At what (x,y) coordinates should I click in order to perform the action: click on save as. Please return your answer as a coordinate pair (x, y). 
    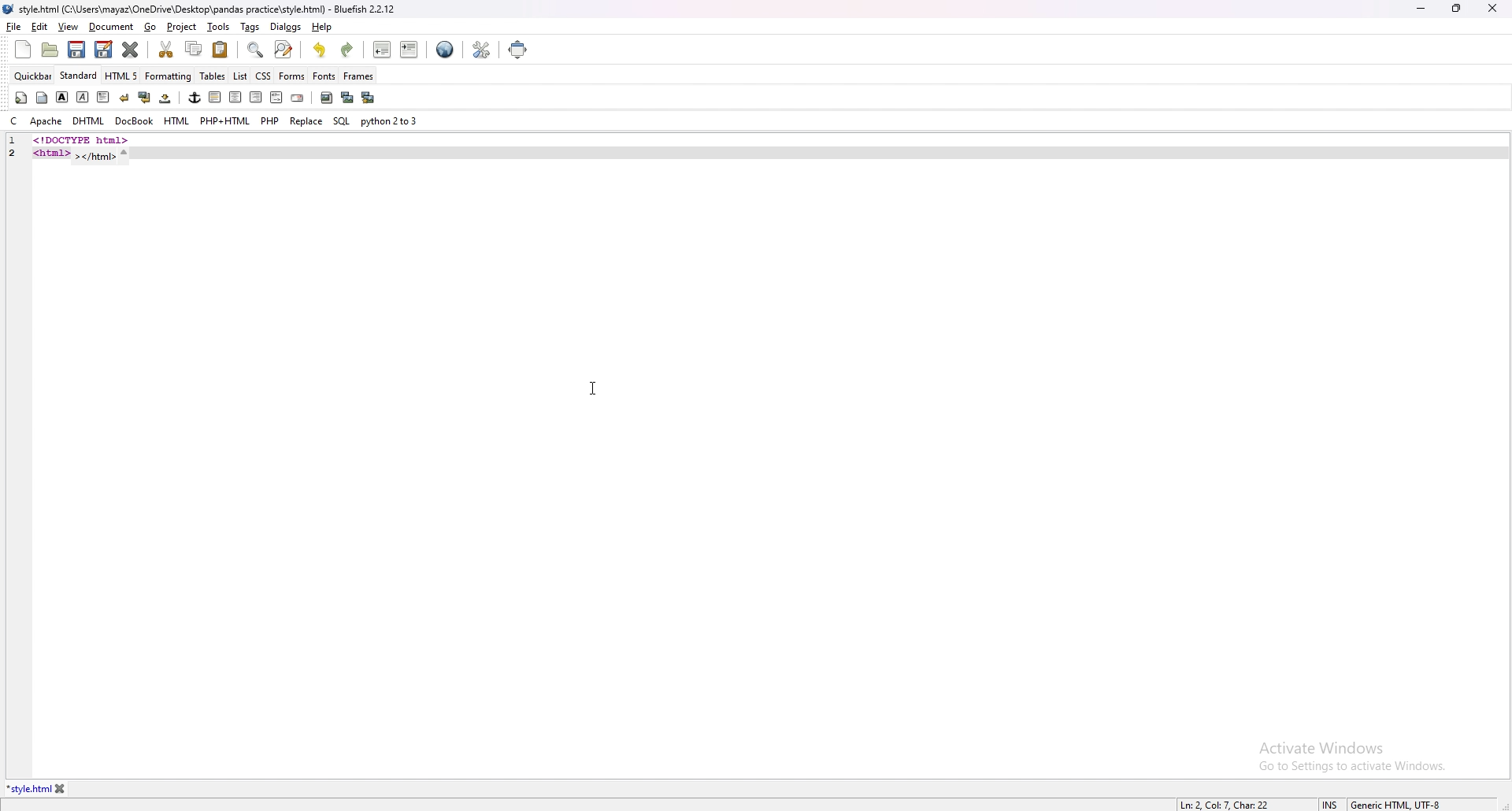
    Looking at the image, I should click on (103, 50).